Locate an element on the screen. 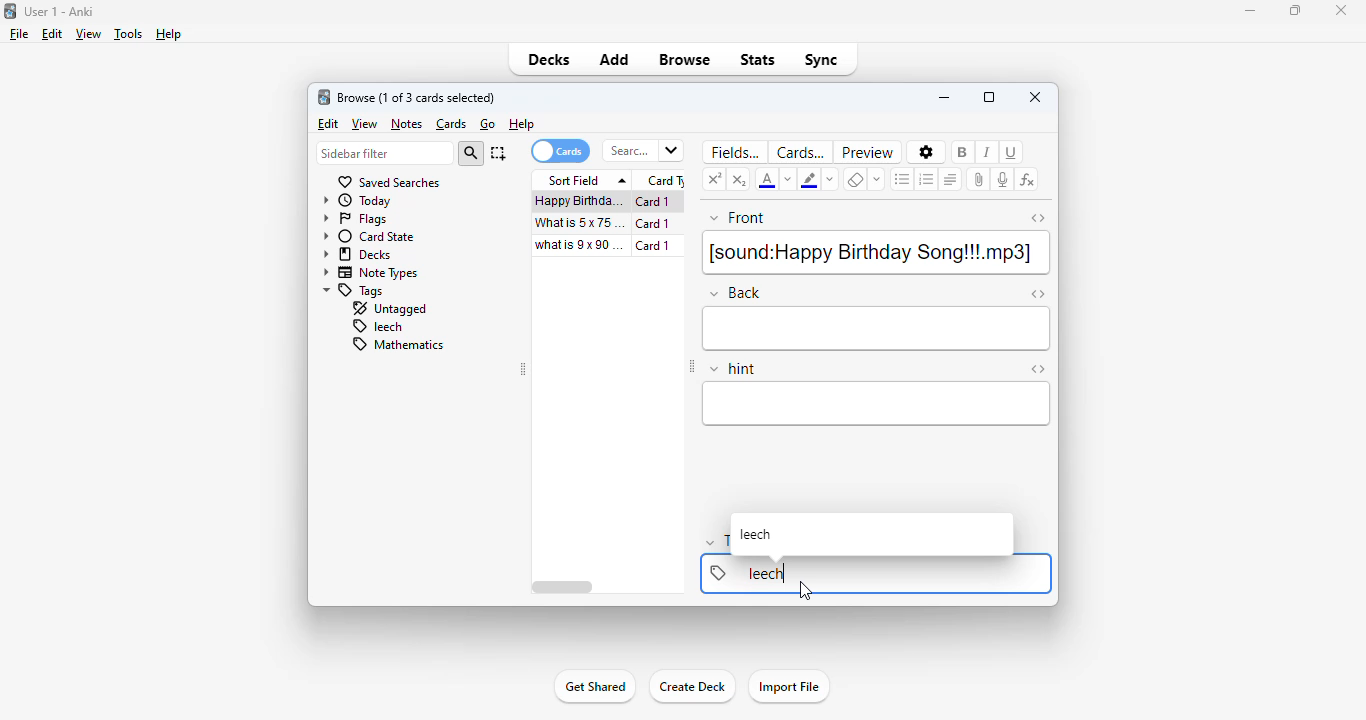  go is located at coordinates (488, 124).